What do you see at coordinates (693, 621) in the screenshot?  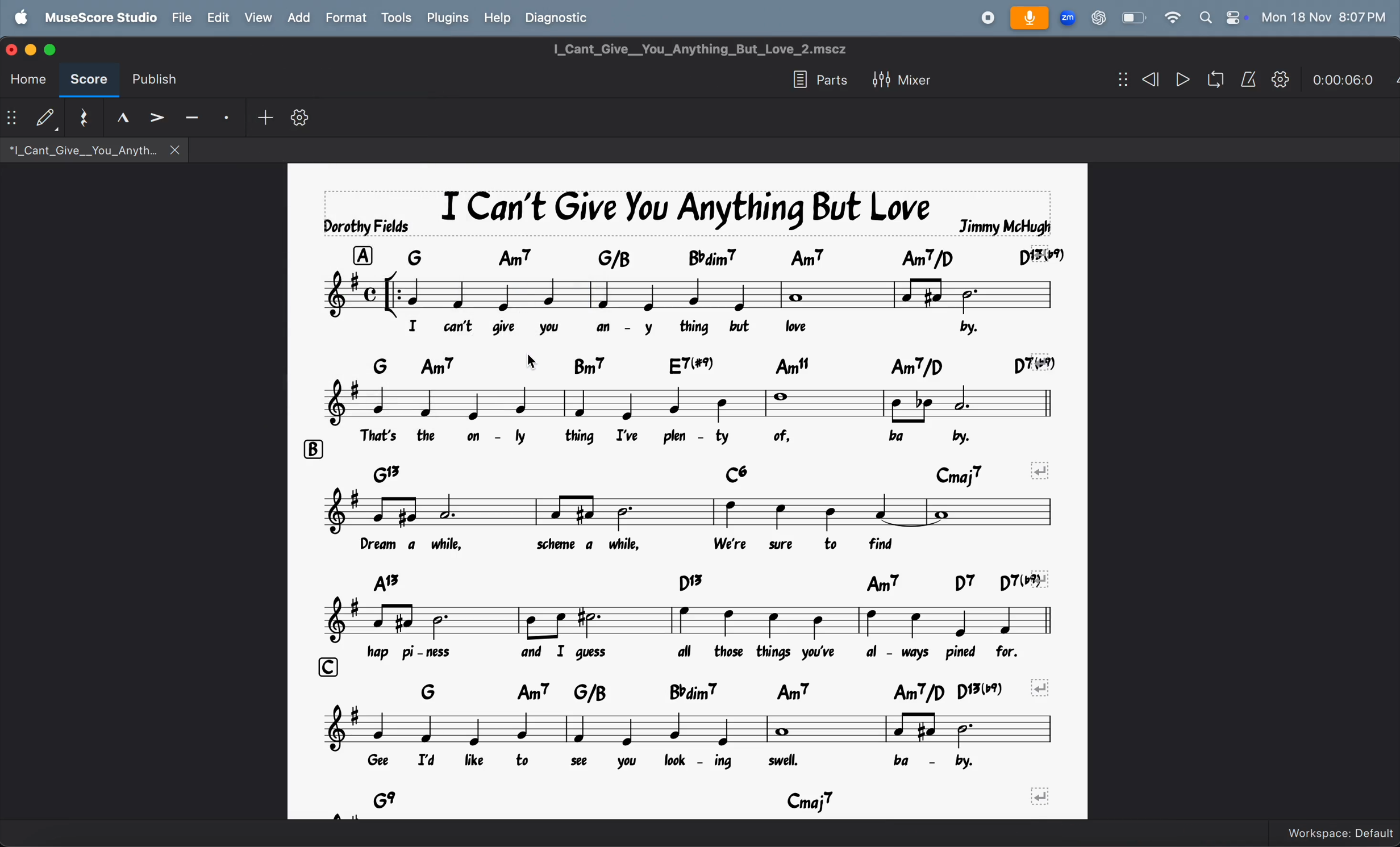 I see `notes` at bounding box center [693, 621].